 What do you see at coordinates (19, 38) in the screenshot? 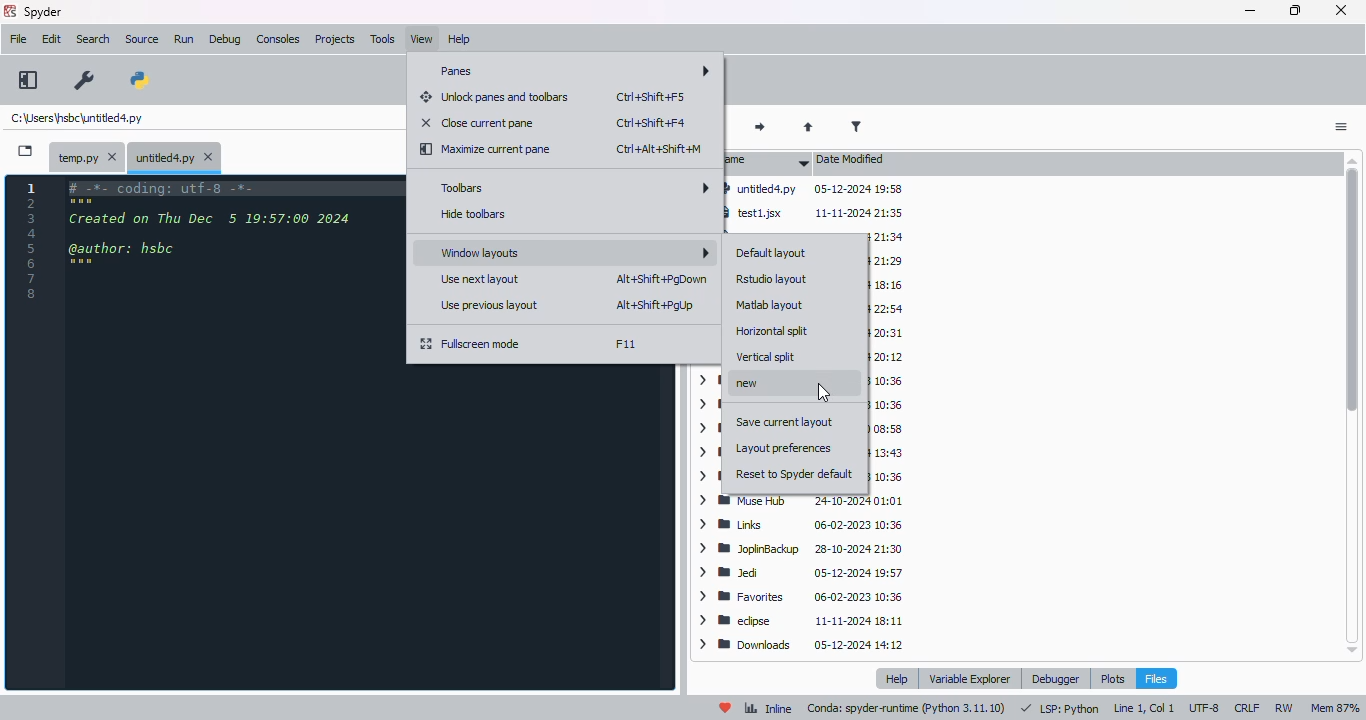
I see `file` at bounding box center [19, 38].